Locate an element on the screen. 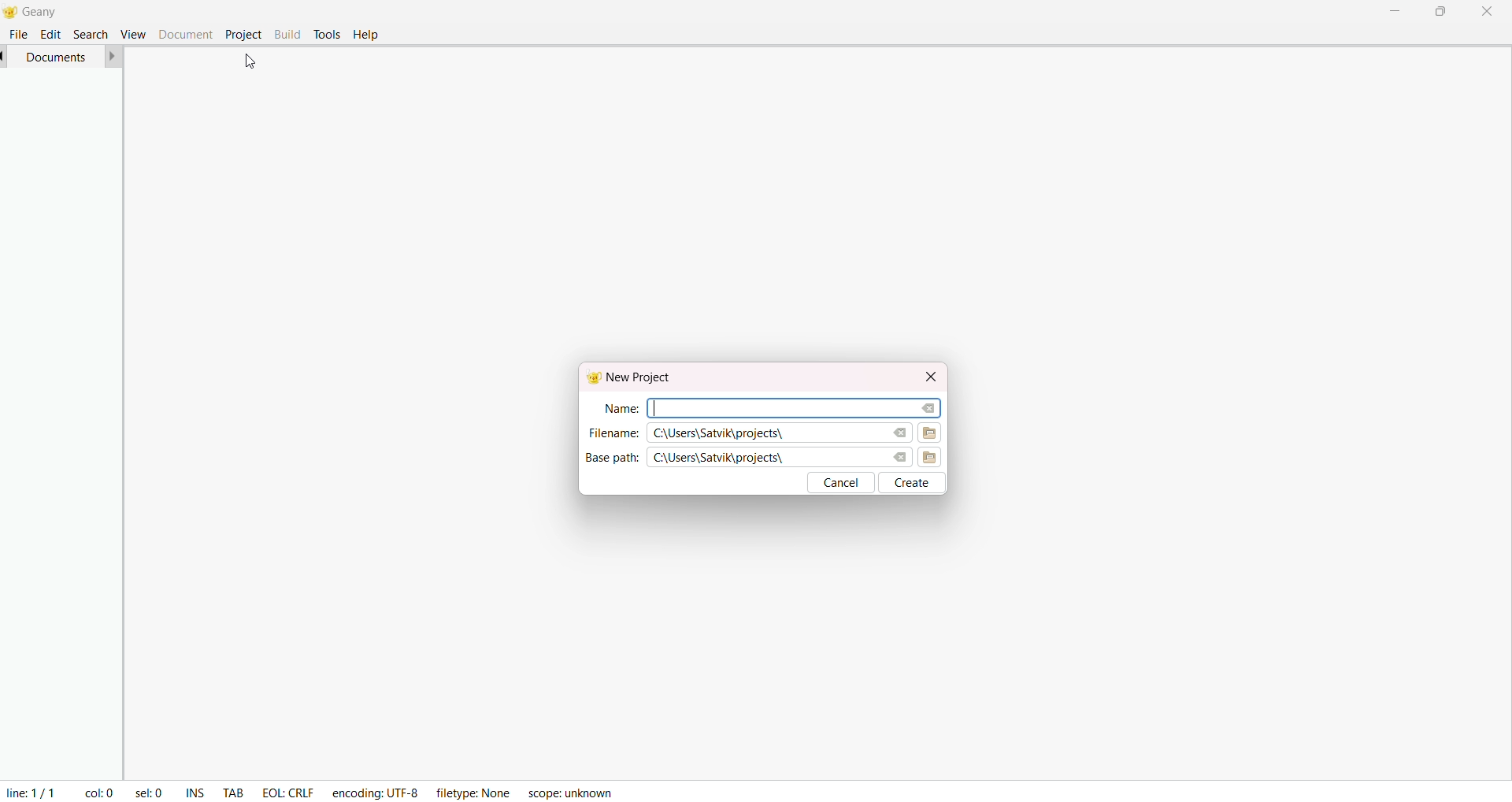  ins is located at coordinates (198, 793).